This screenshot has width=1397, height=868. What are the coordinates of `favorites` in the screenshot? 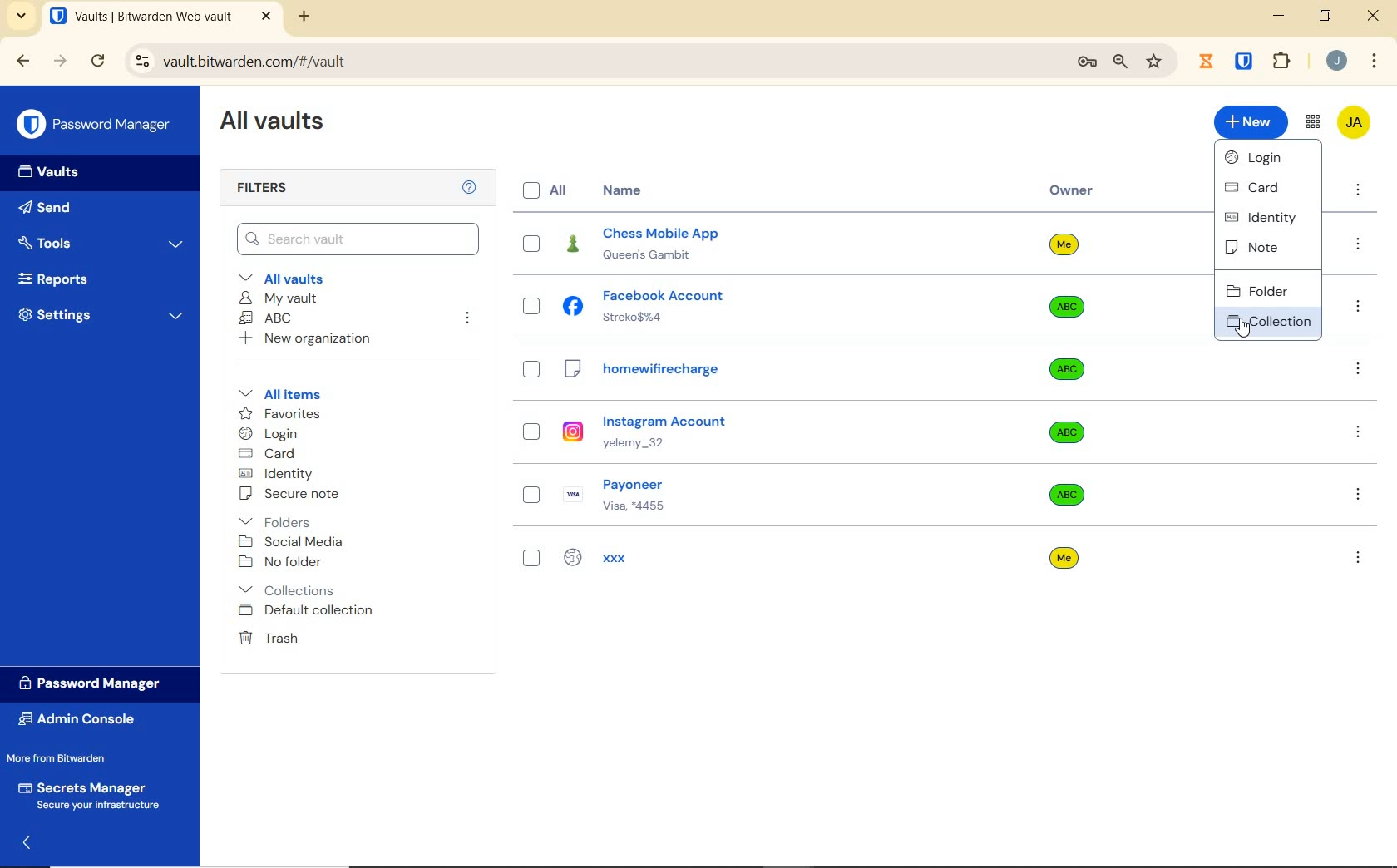 It's located at (286, 414).